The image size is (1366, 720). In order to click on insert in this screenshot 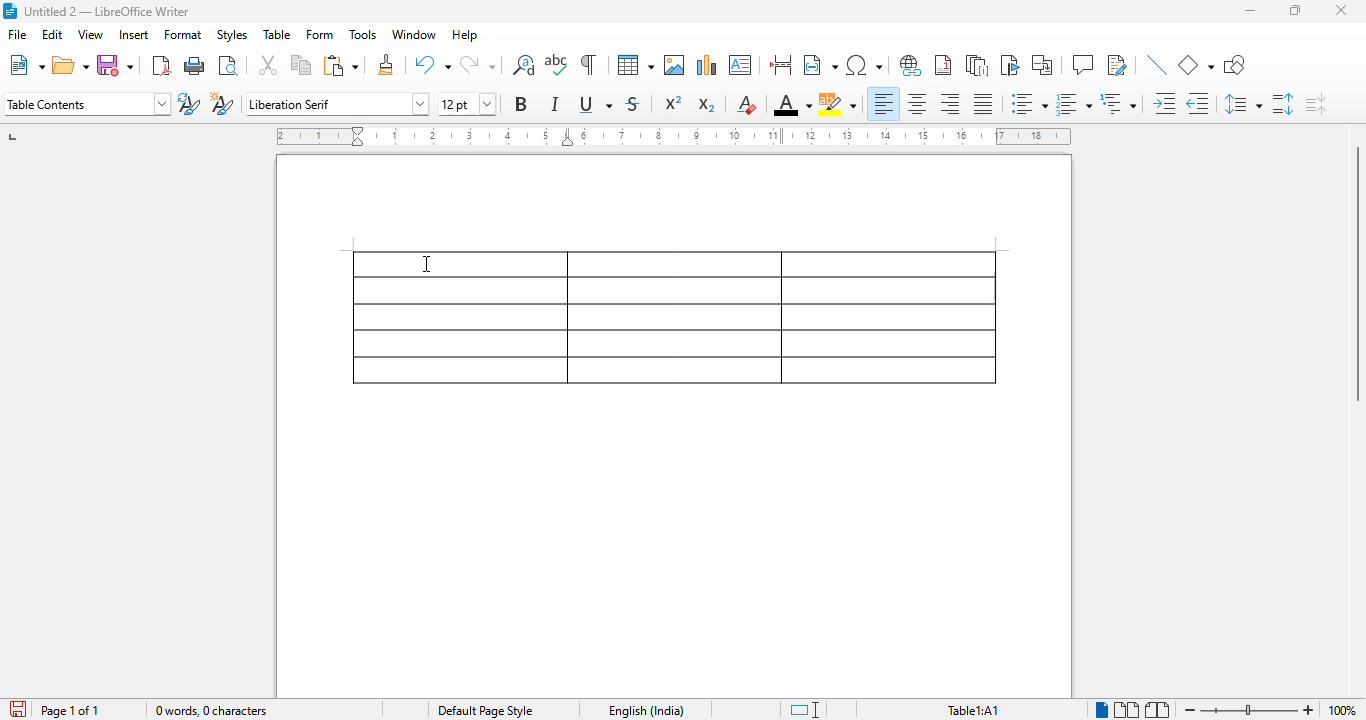, I will do `click(135, 35)`.